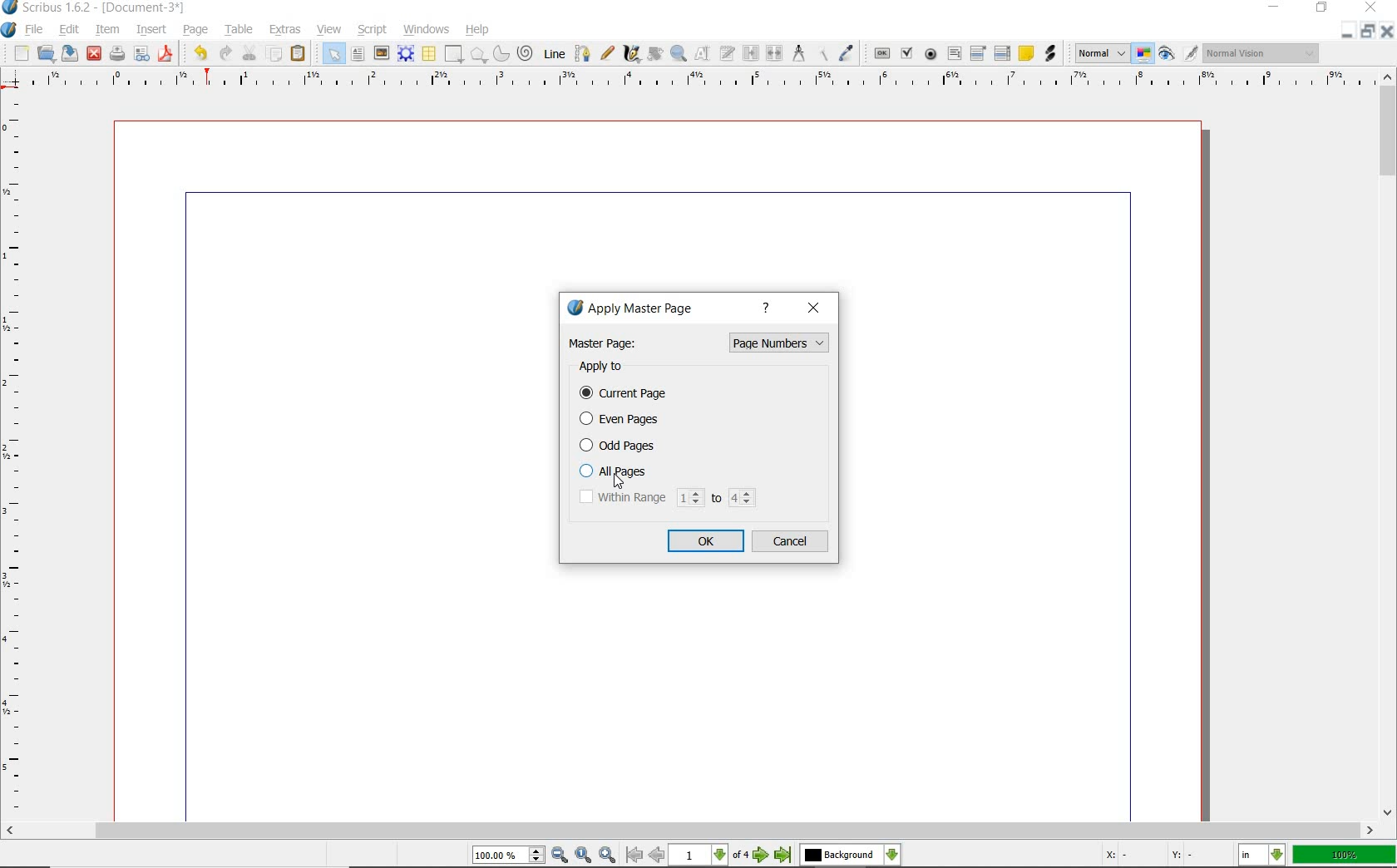 The image size is (1397, 868). I want to click on Next Page, so click(762, 856).